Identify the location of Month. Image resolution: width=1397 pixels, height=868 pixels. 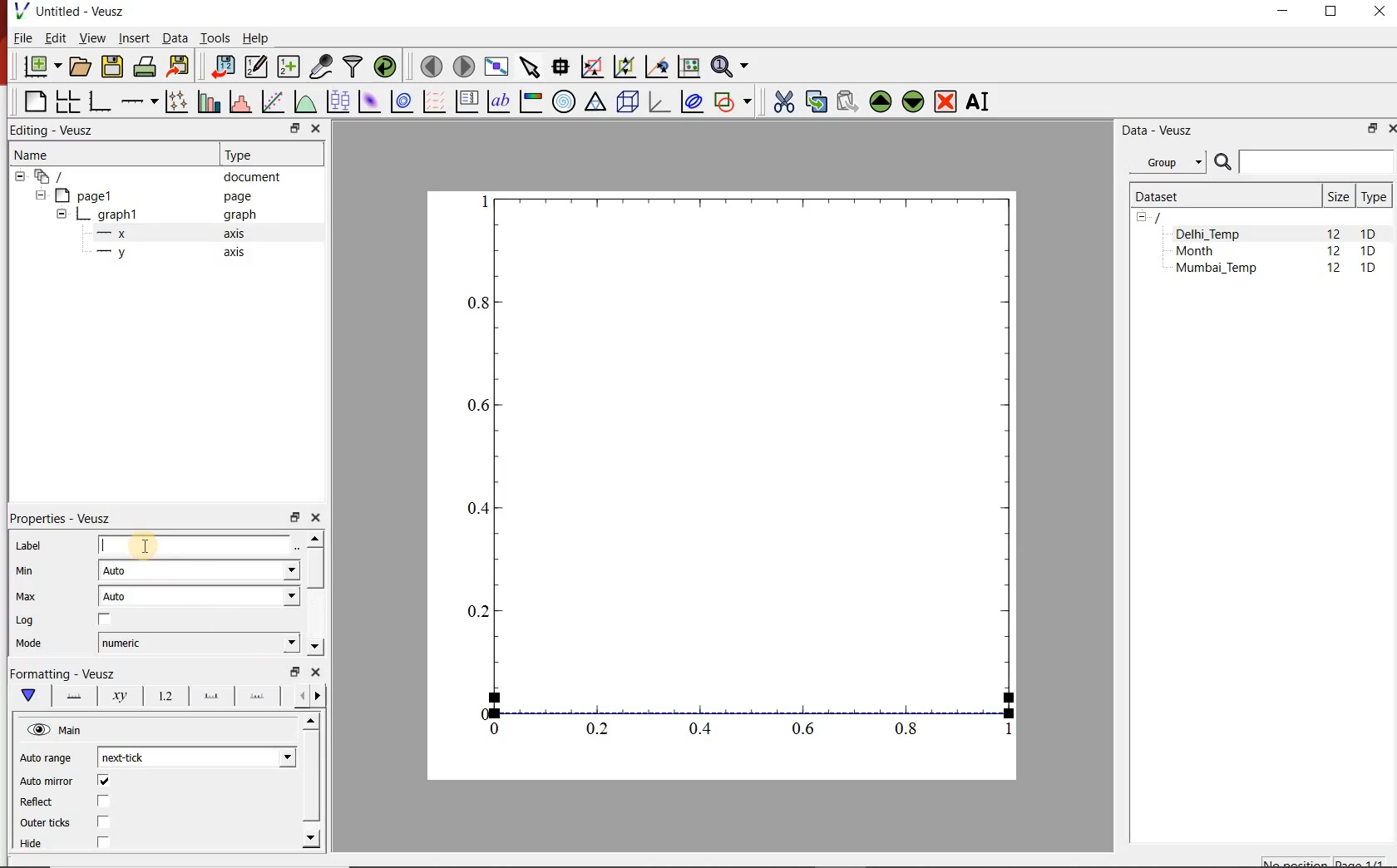
(1207, 251).